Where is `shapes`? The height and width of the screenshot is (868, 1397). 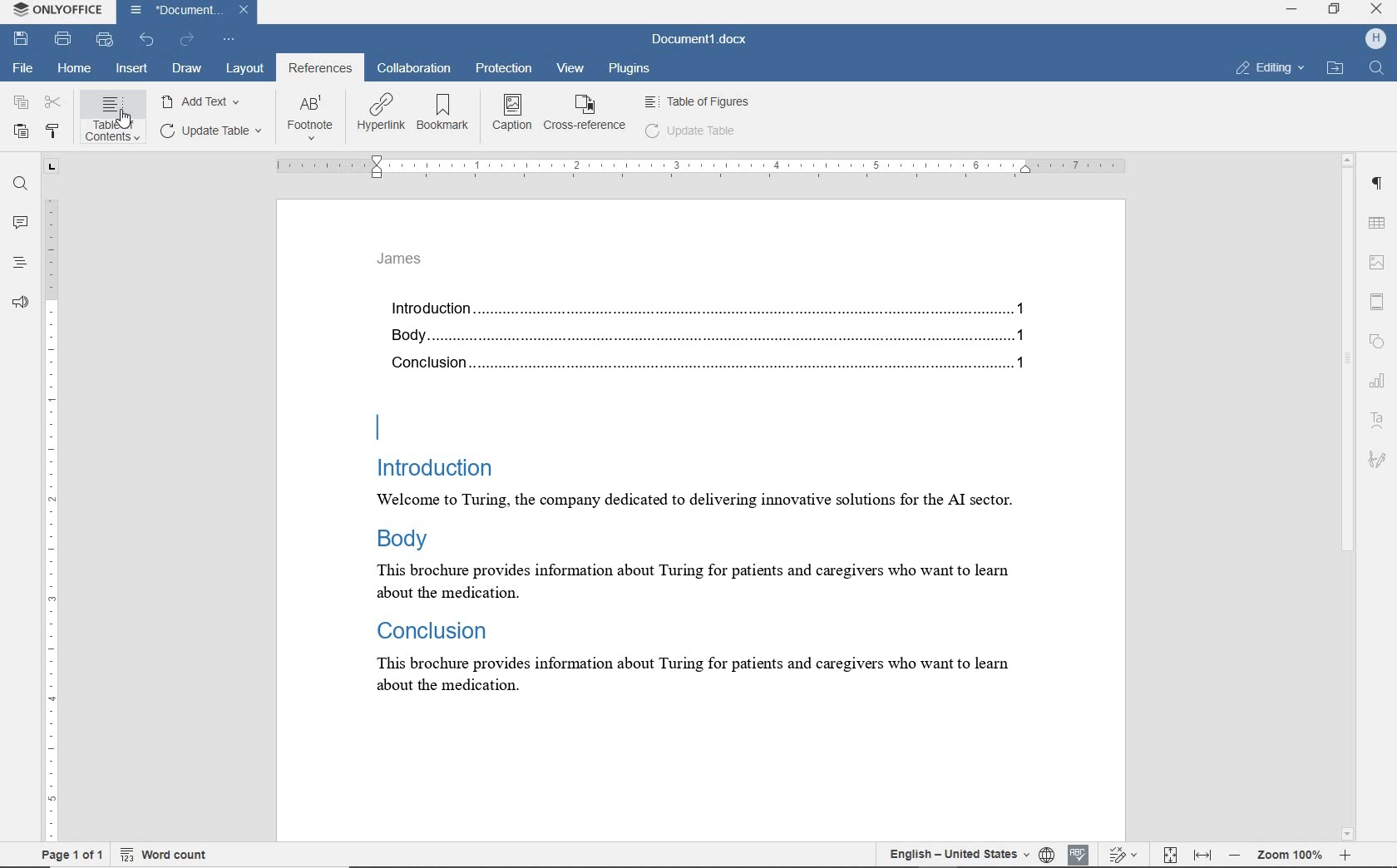
shapes is located at coordinates (1377, 340).